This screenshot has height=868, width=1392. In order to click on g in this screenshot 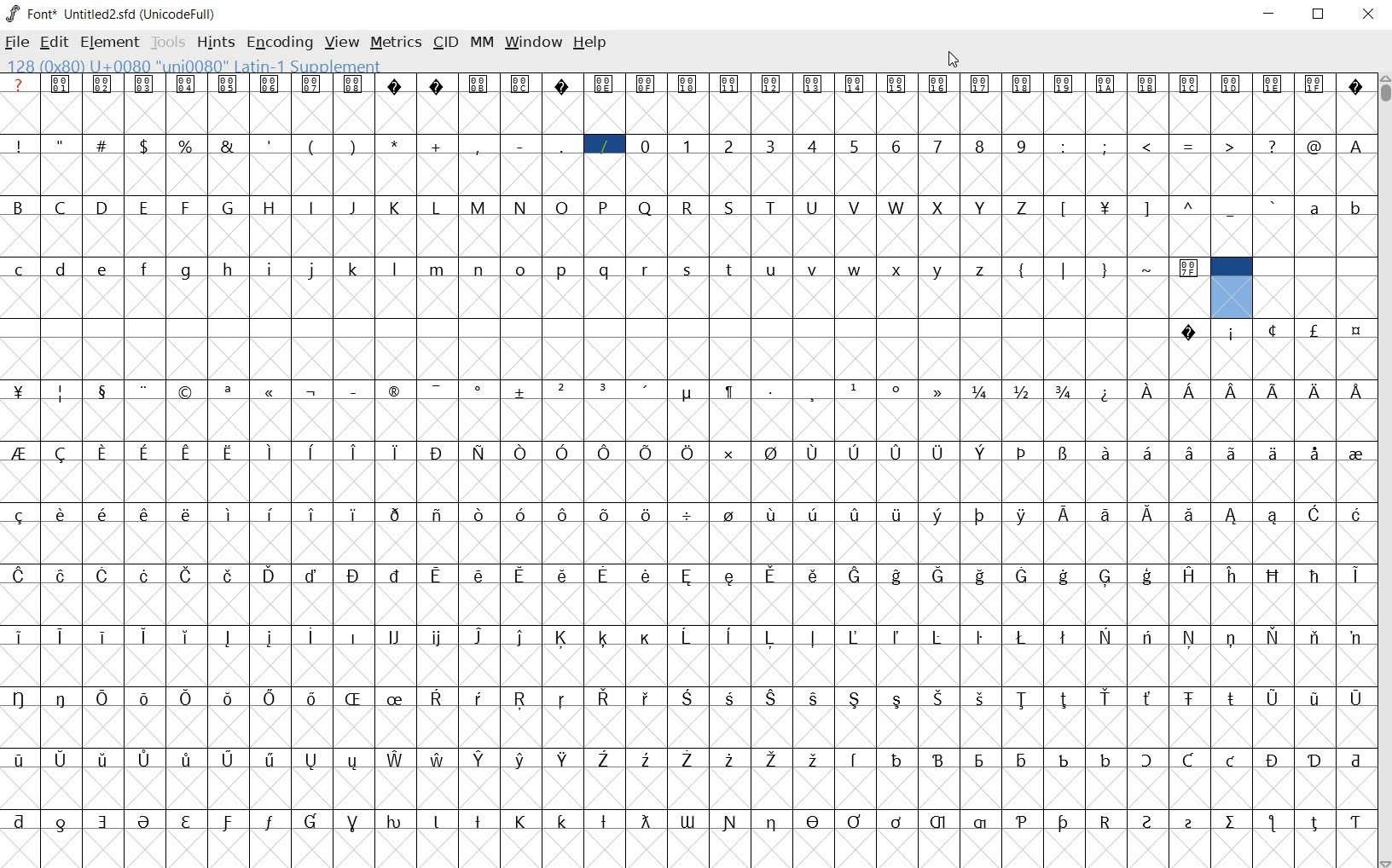, I will do `click(188, 269)`.